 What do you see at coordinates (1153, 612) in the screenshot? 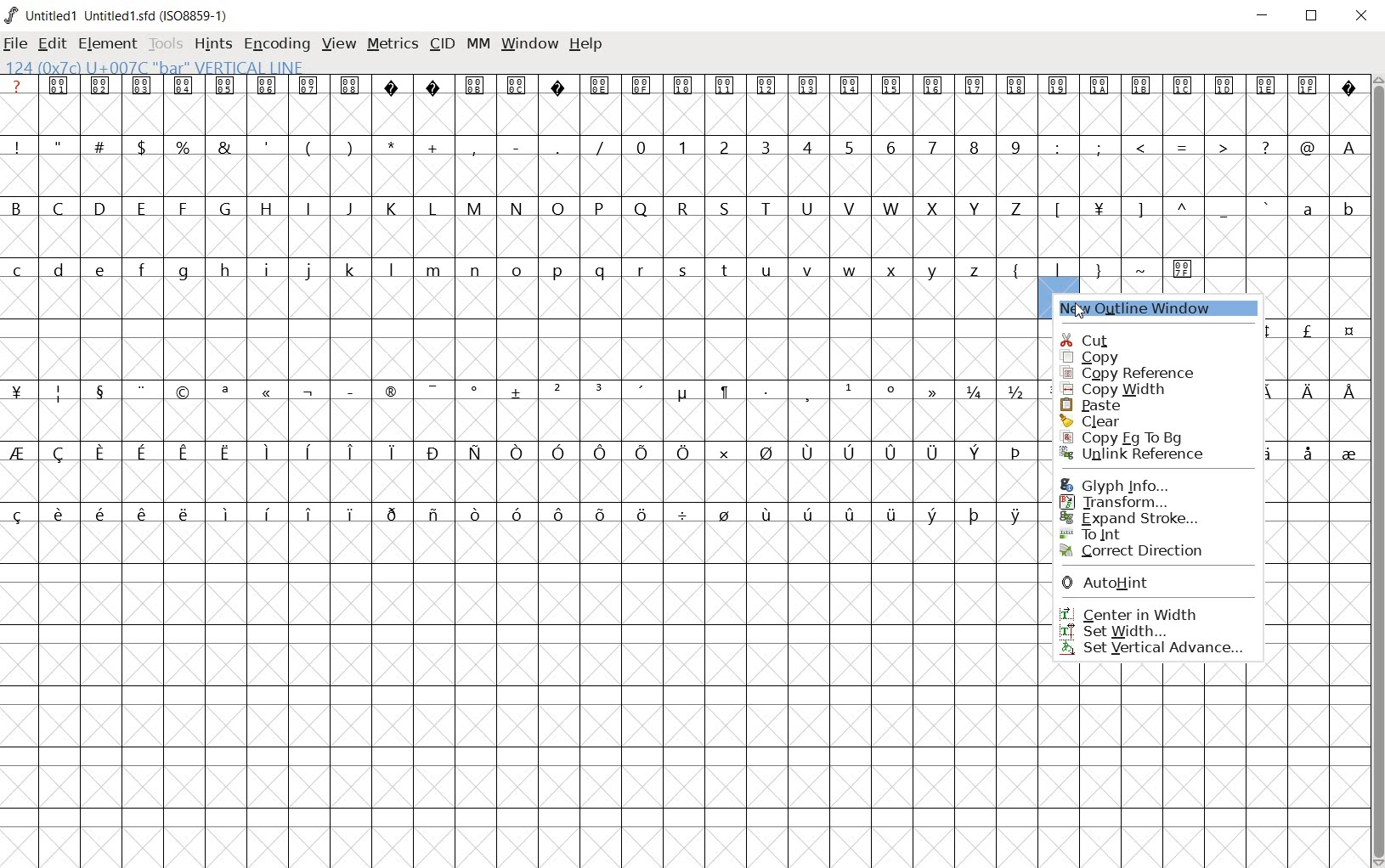
I see `center in width` at bounding box center [1153, 612].